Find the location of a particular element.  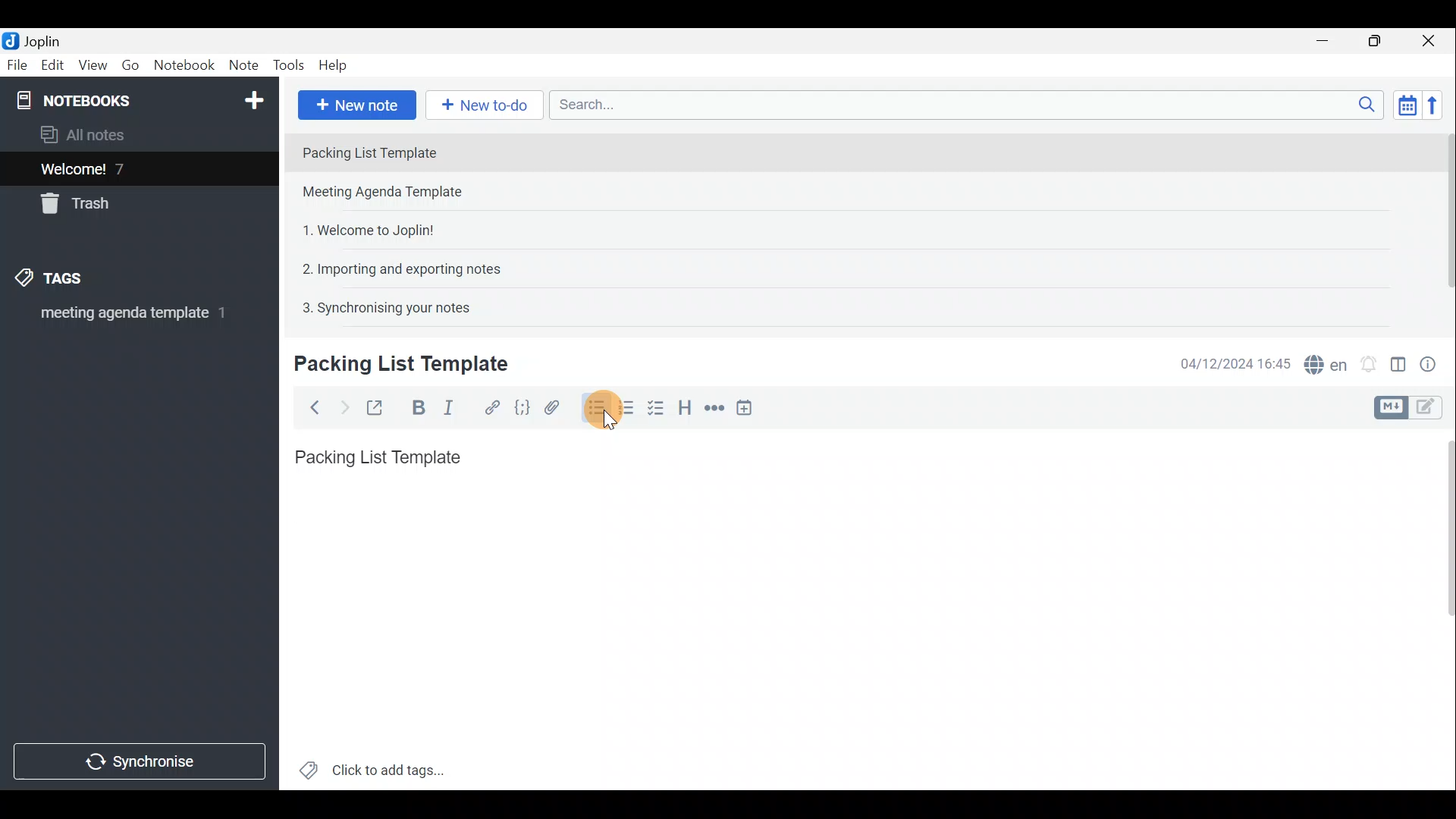

Note 5 is located at coordinates (380, 306).